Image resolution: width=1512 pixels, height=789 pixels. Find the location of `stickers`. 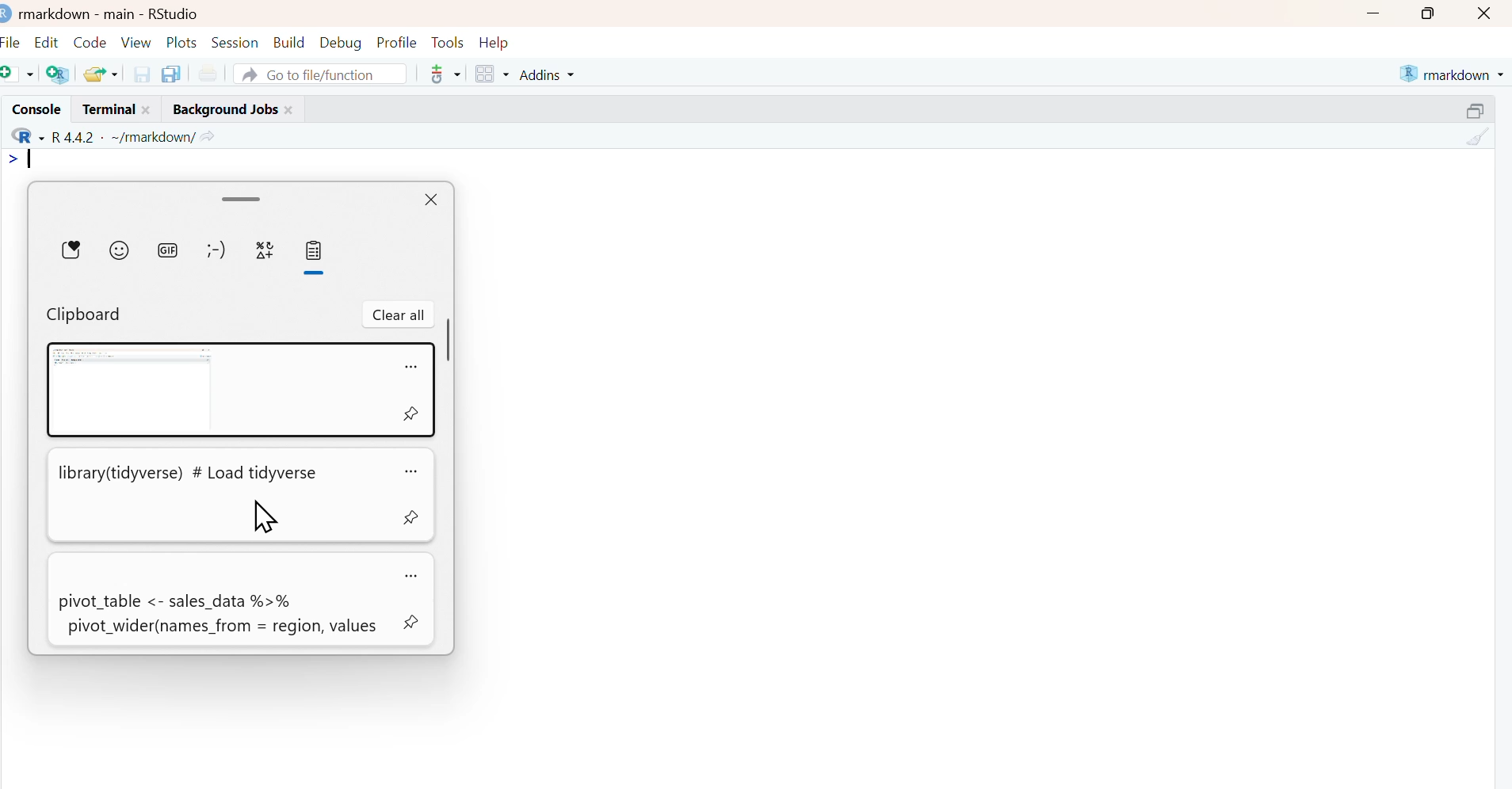

stickers is located at coordinates (71, 251).